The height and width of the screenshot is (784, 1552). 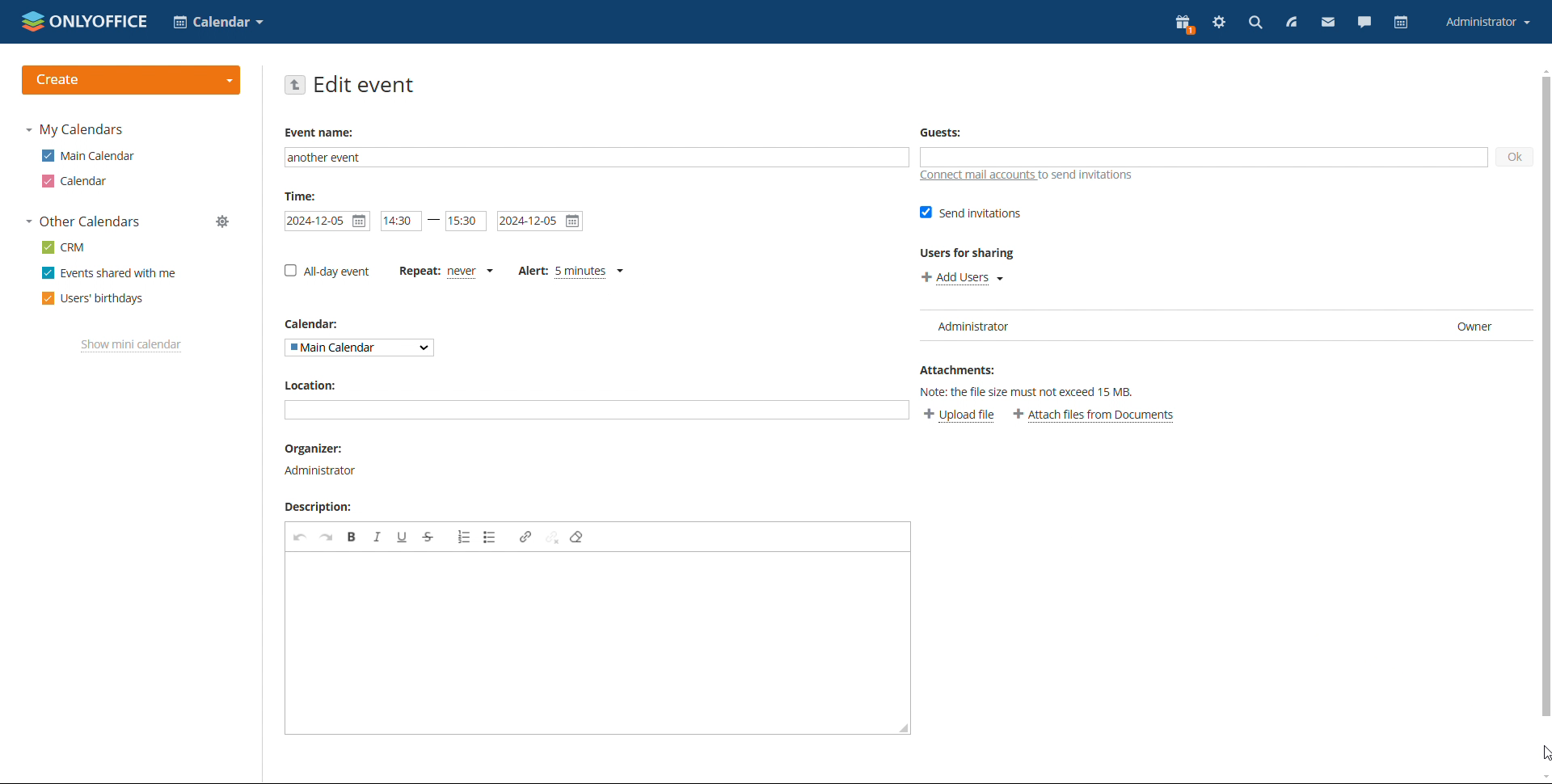 What do you see at coordinates (320, 449) in the screenshot?
I see `organizer` at bounding box center [320, 449].